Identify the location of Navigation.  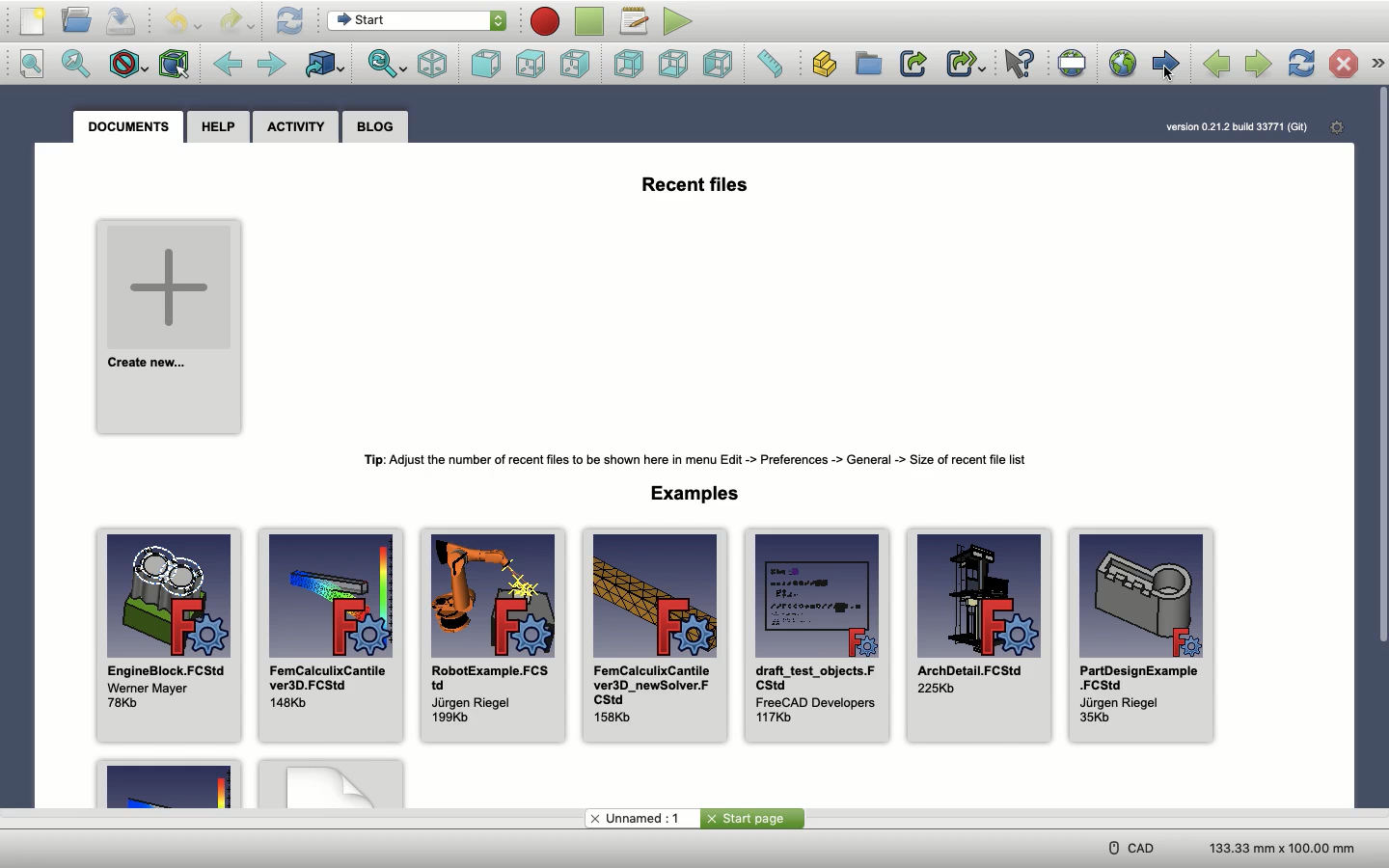
(1378, 64).